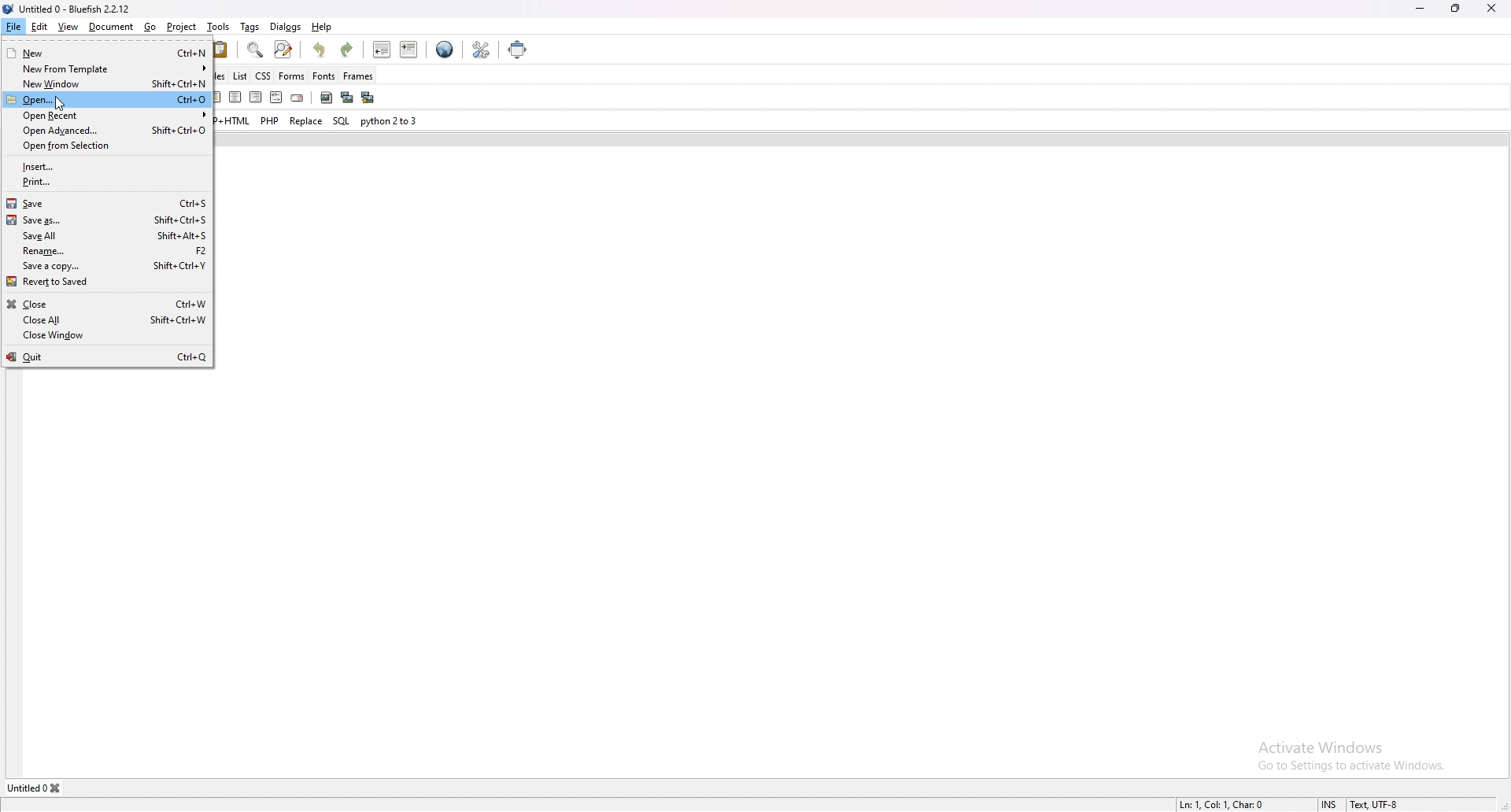 The image size is (1511, 812). Describe the element at coordinates (277, 98) in the screenshot. I see `html comment` at that location.